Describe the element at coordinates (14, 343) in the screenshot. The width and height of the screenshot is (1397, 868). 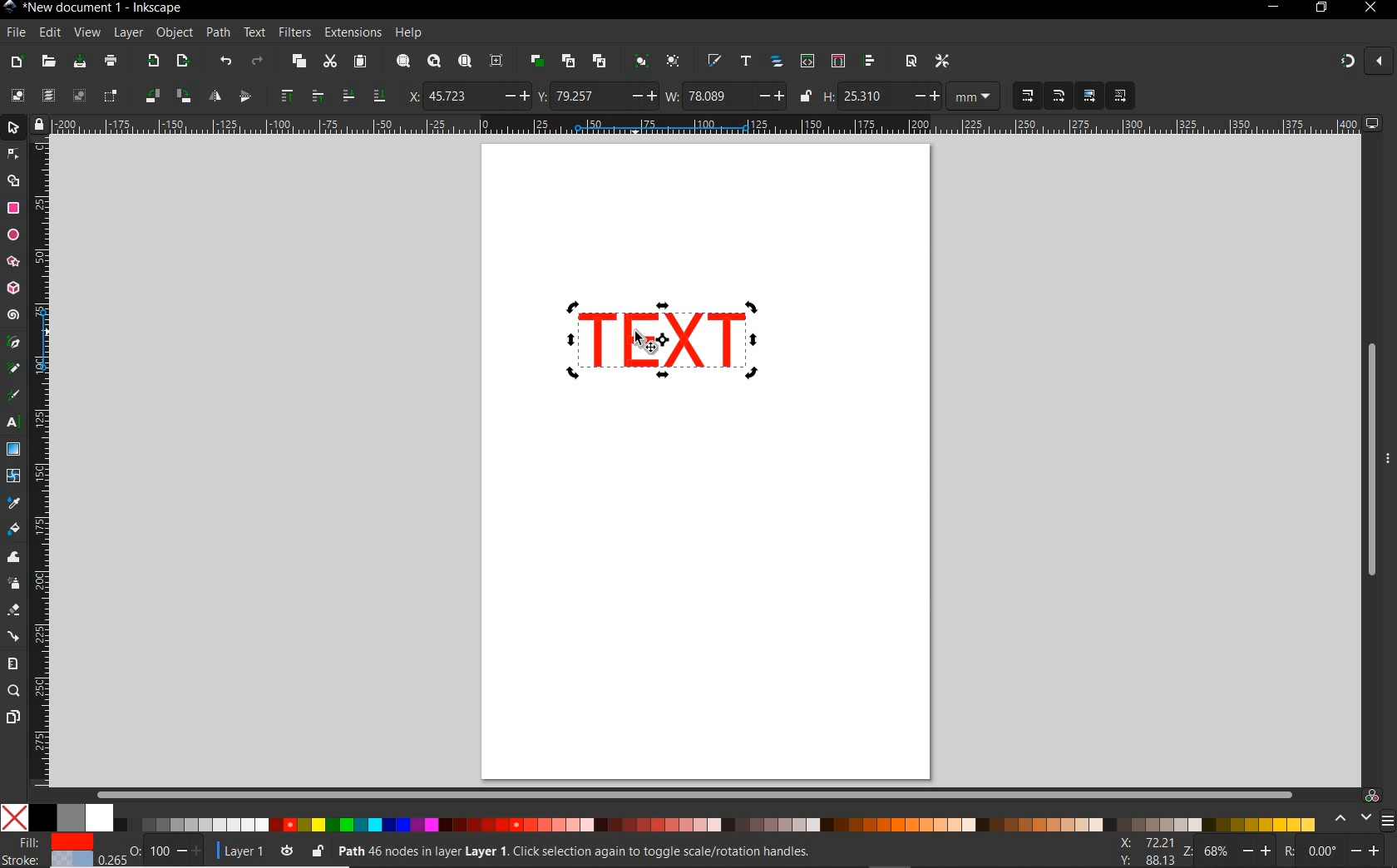
I see `PEN TOOL` at that location.